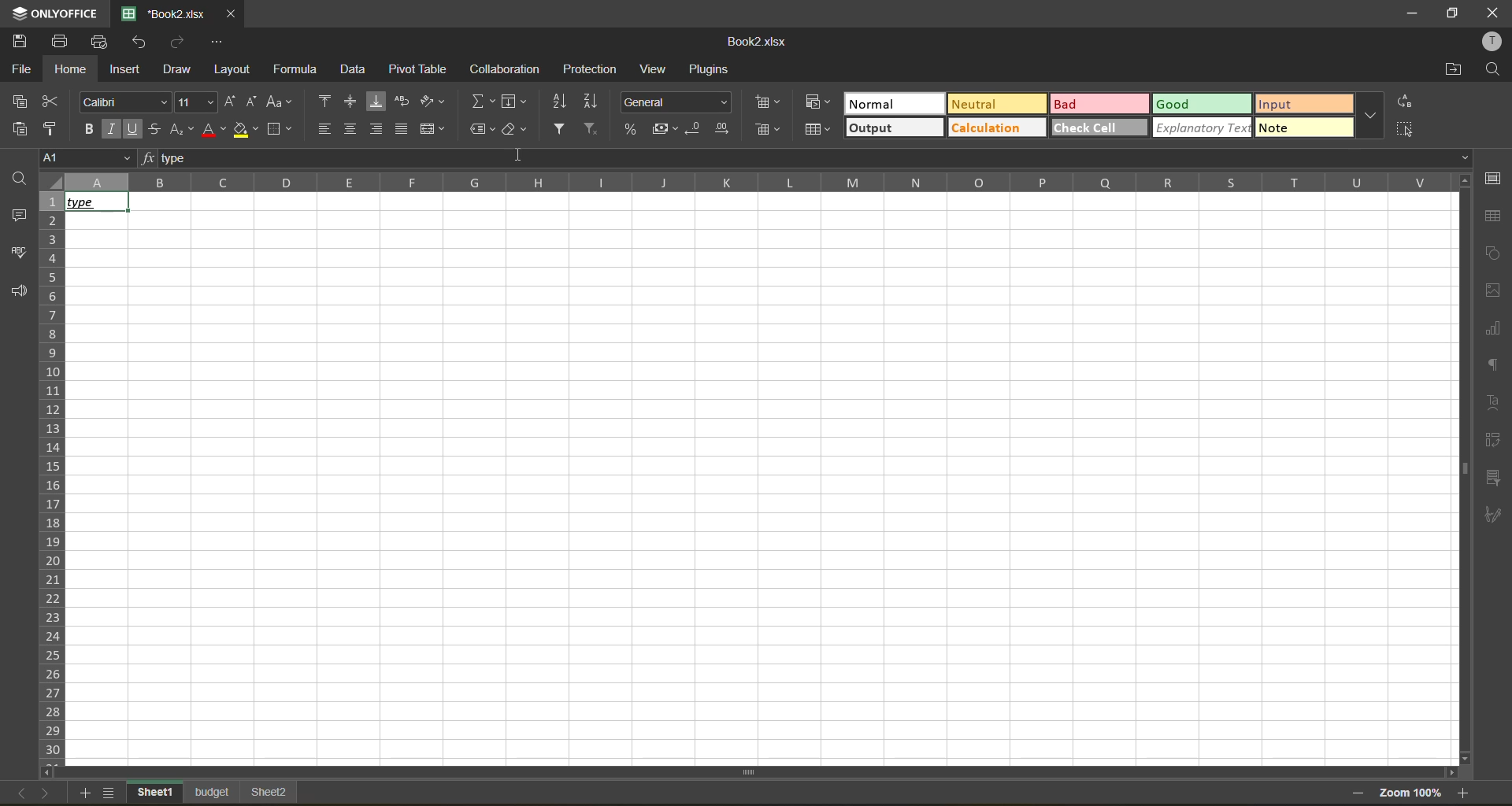 Image resolution: width=1512 pixels, height=806 pixels. I want to click on minimize, so click(1406, 12).